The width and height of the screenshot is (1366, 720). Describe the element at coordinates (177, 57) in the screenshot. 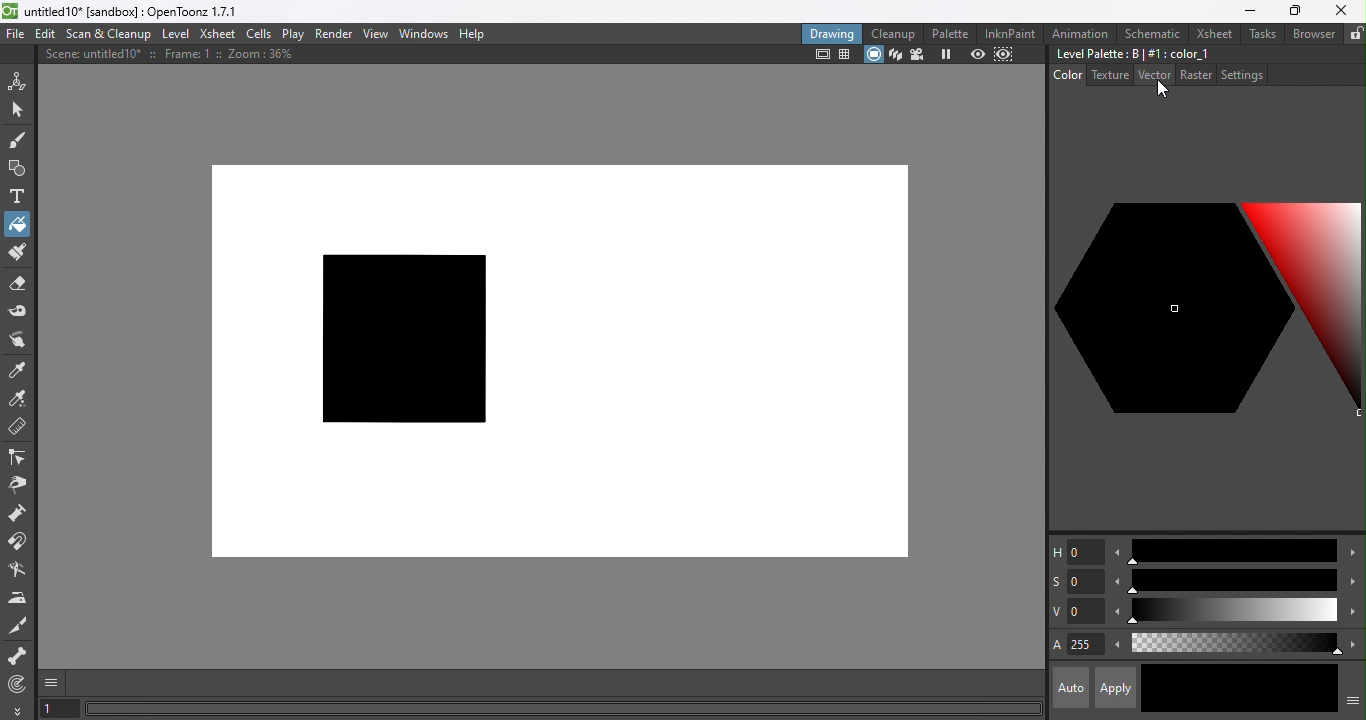

I see `Scene details` at that location.